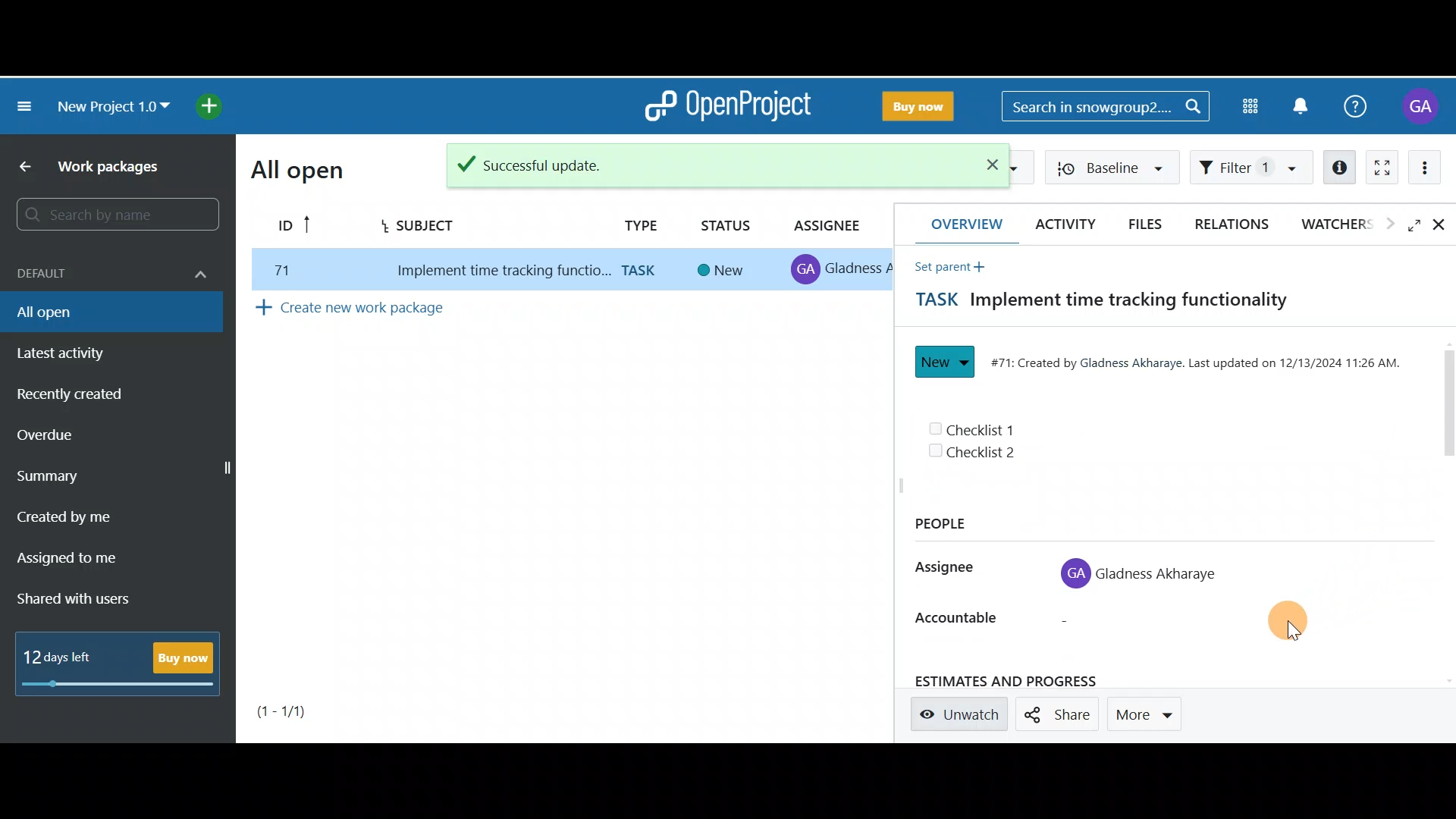 The width and height of the screenshot is (1456, 819). I want to click on Assignee, so click(831, 226).